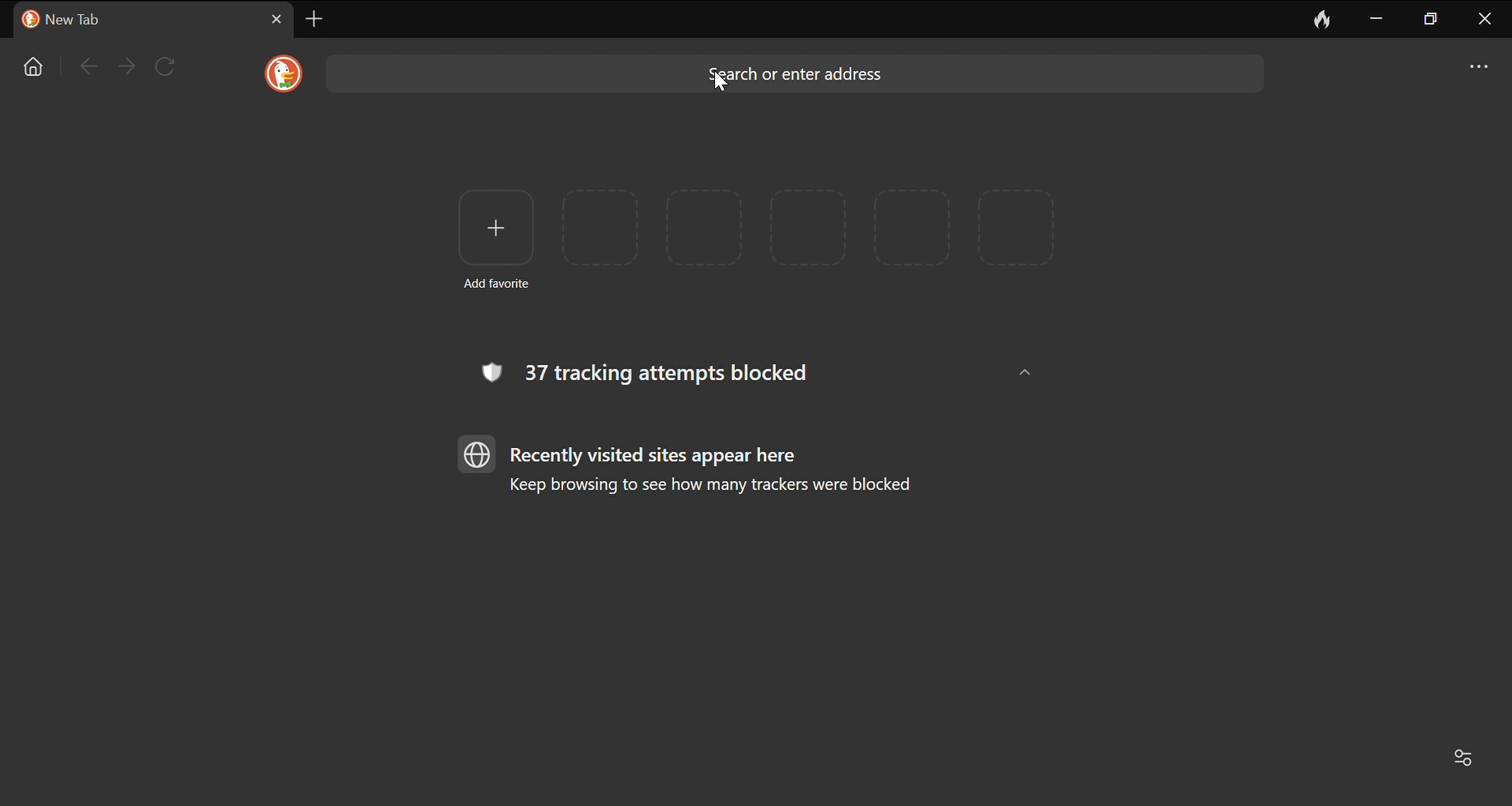 This screenshot has width=1512, height=806. I want to click on Go back, so click(86, 65).